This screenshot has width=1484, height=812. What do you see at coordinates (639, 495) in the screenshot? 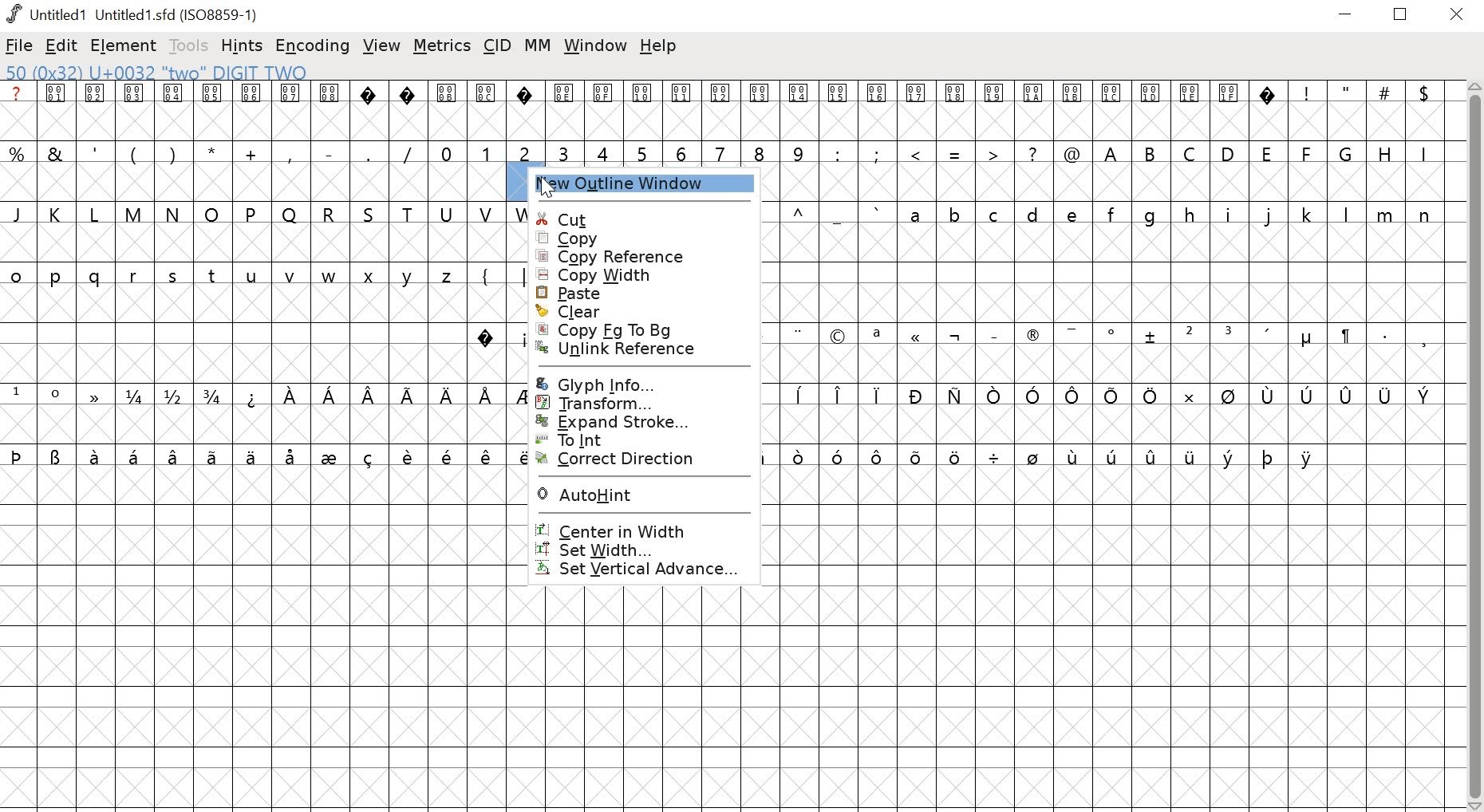
I see `AUTOHINT` at bounding box center [639, 495].